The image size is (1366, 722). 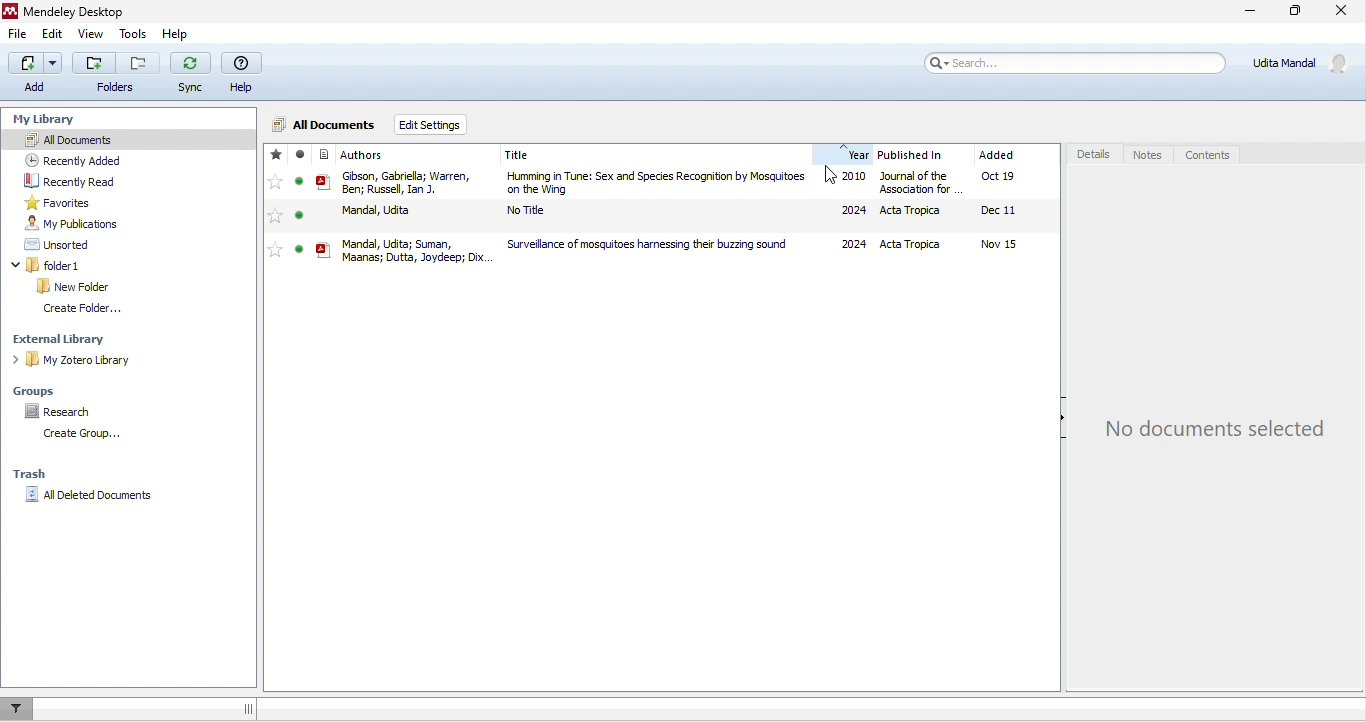 What do you see at coordinates (1147, 155) in the screenshot?
I see `notes` at bounding box center [1147, 155].